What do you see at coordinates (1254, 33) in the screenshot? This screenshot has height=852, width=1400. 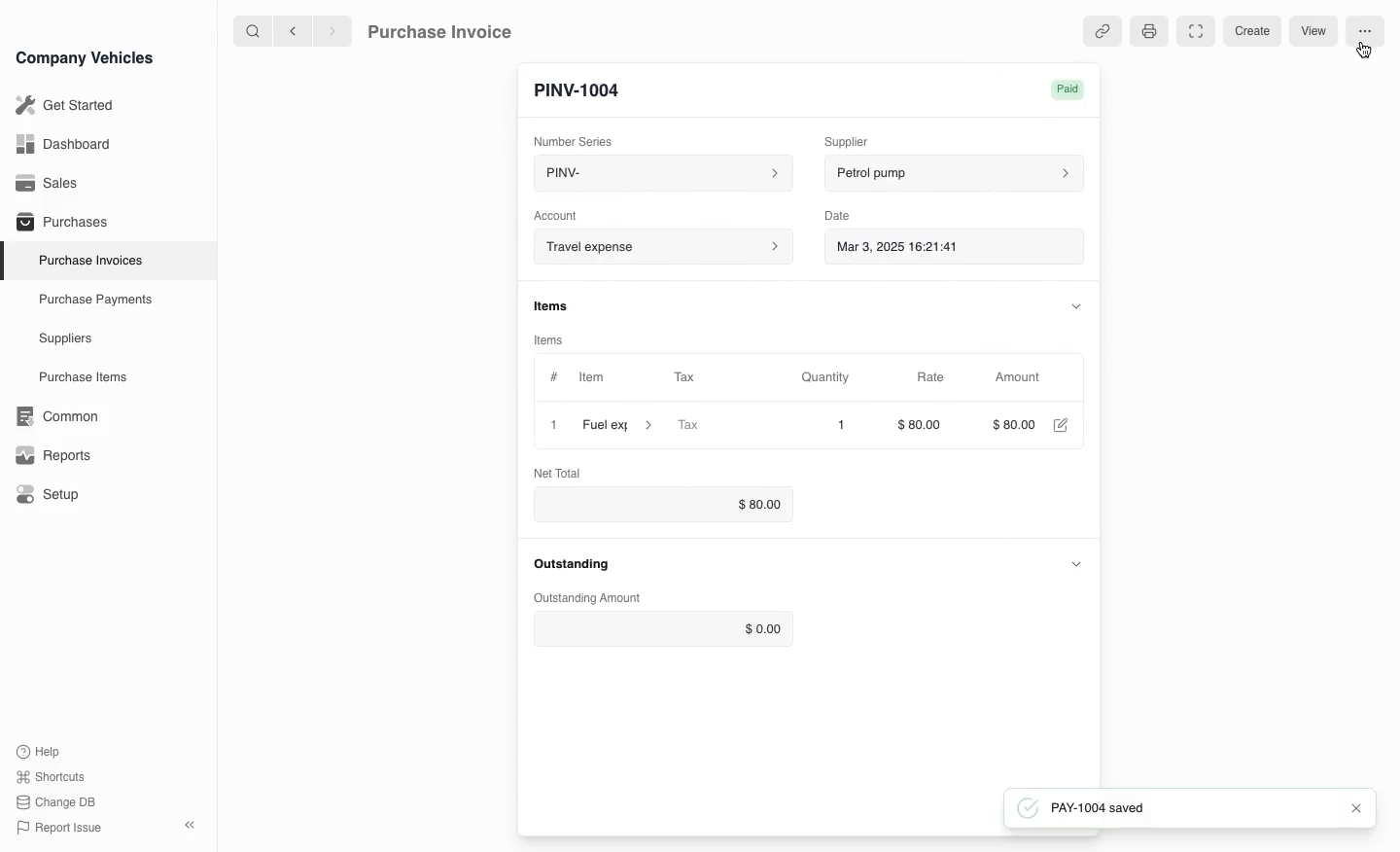 I see `create` at bounding box center [1254, 33].